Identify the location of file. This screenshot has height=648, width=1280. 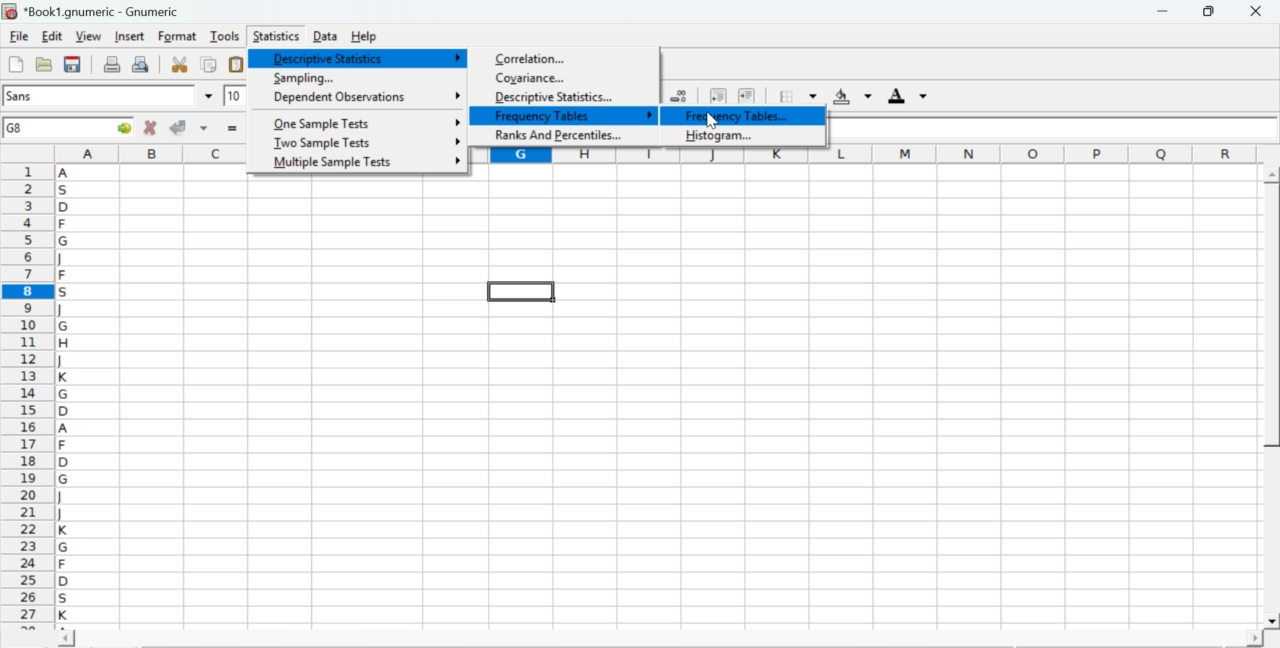
(18, 37).